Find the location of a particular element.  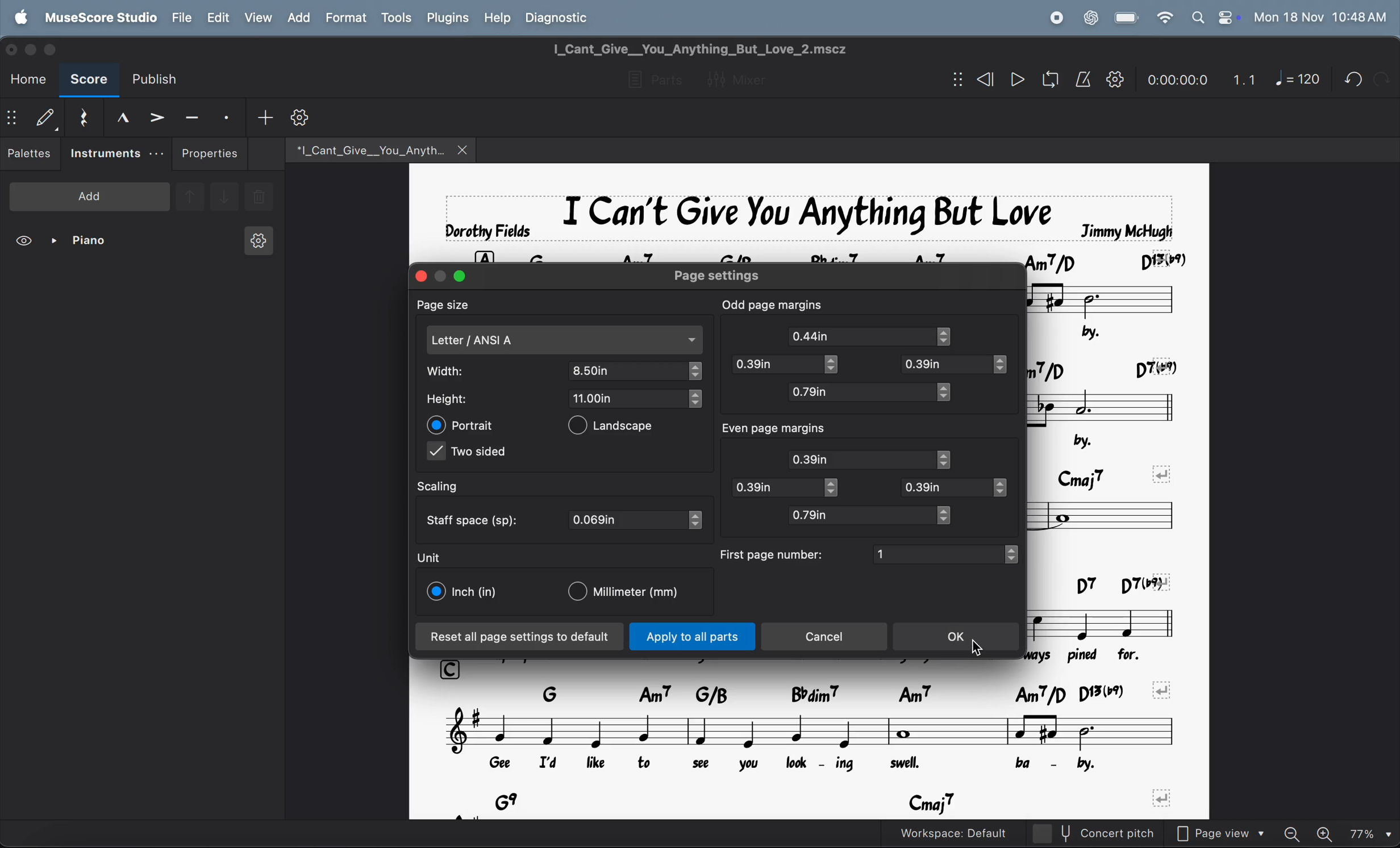

add is located at coordinates (265, 116).